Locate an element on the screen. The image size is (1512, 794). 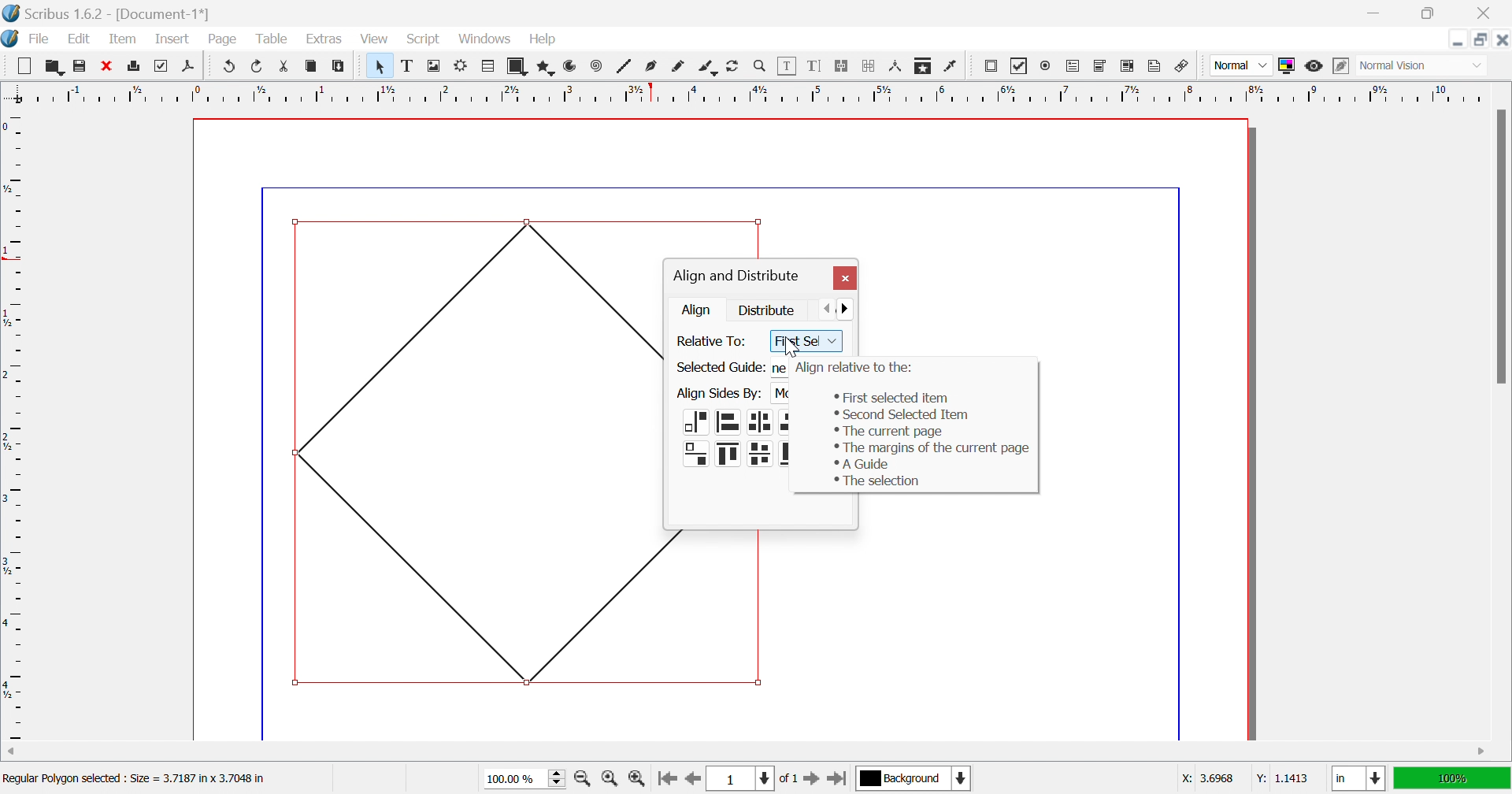
Cut is located at coordinates (288, 69).